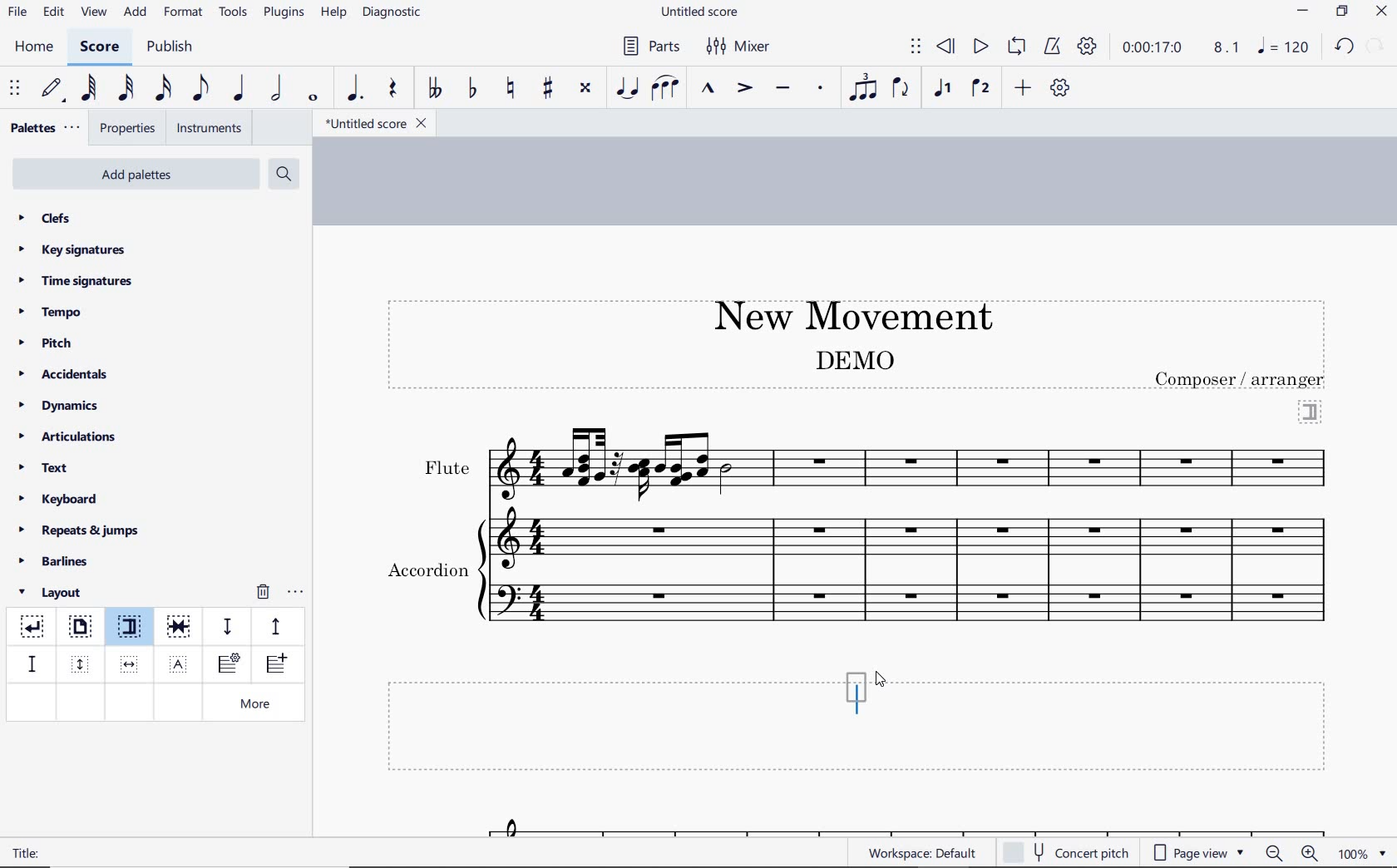 The width and height of the screenshot is (1397, 868). What do you see at coordinates (512, 89) in the screenshot?
I see `toggle natural` at bounding box center [512, 89].